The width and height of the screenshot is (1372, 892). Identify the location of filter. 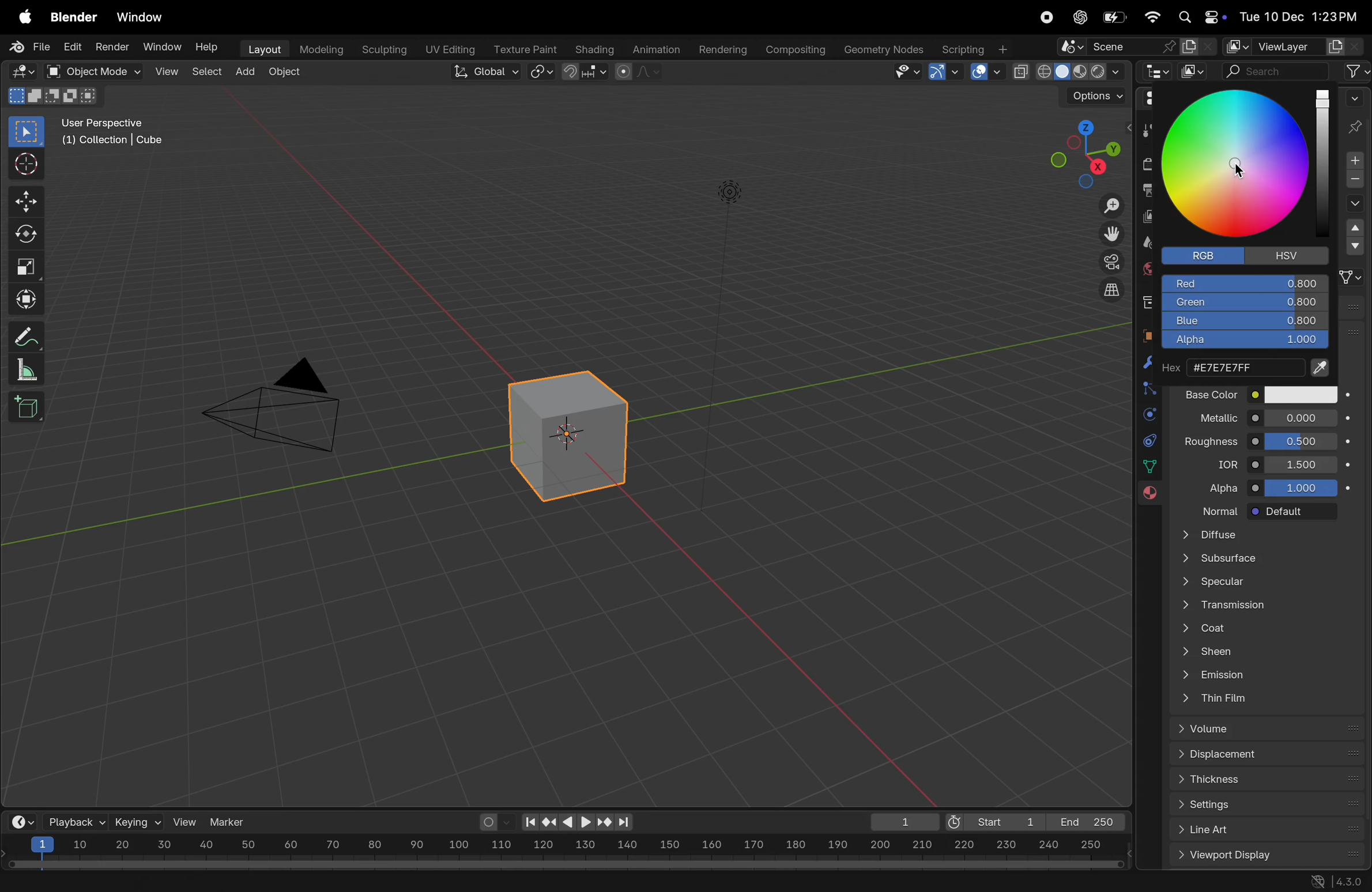
(1356, 71).